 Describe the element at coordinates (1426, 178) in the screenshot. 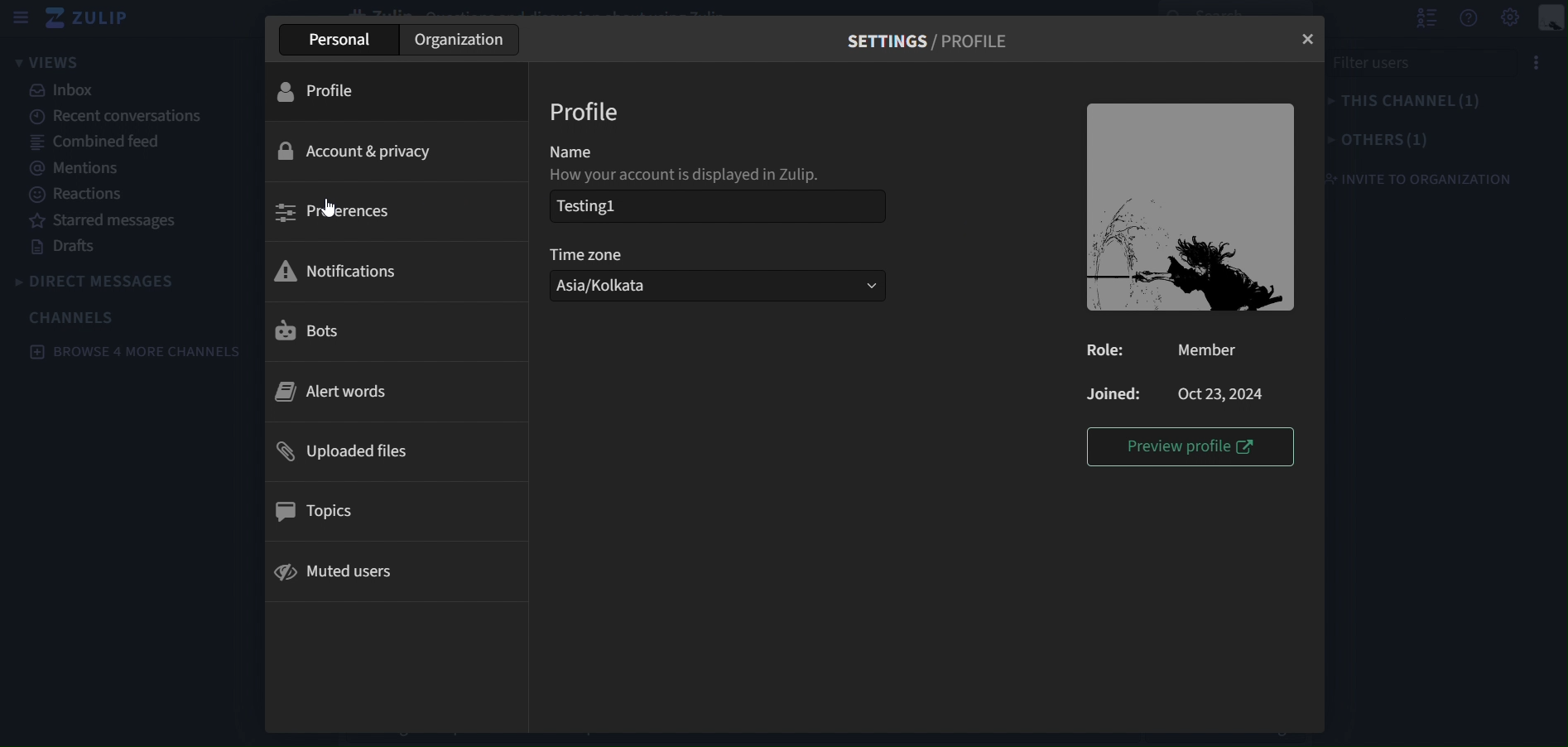

I see `invite to organization` at that location.